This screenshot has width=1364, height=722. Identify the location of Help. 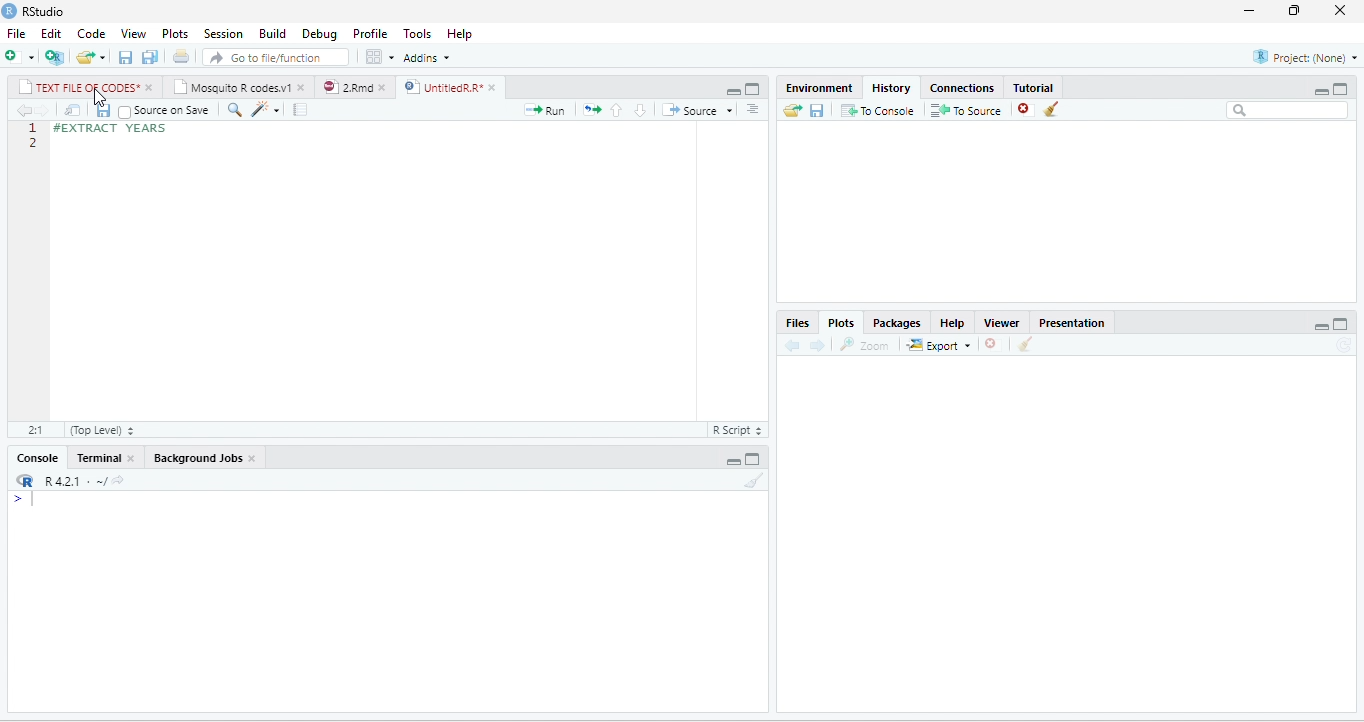
(953, 323).